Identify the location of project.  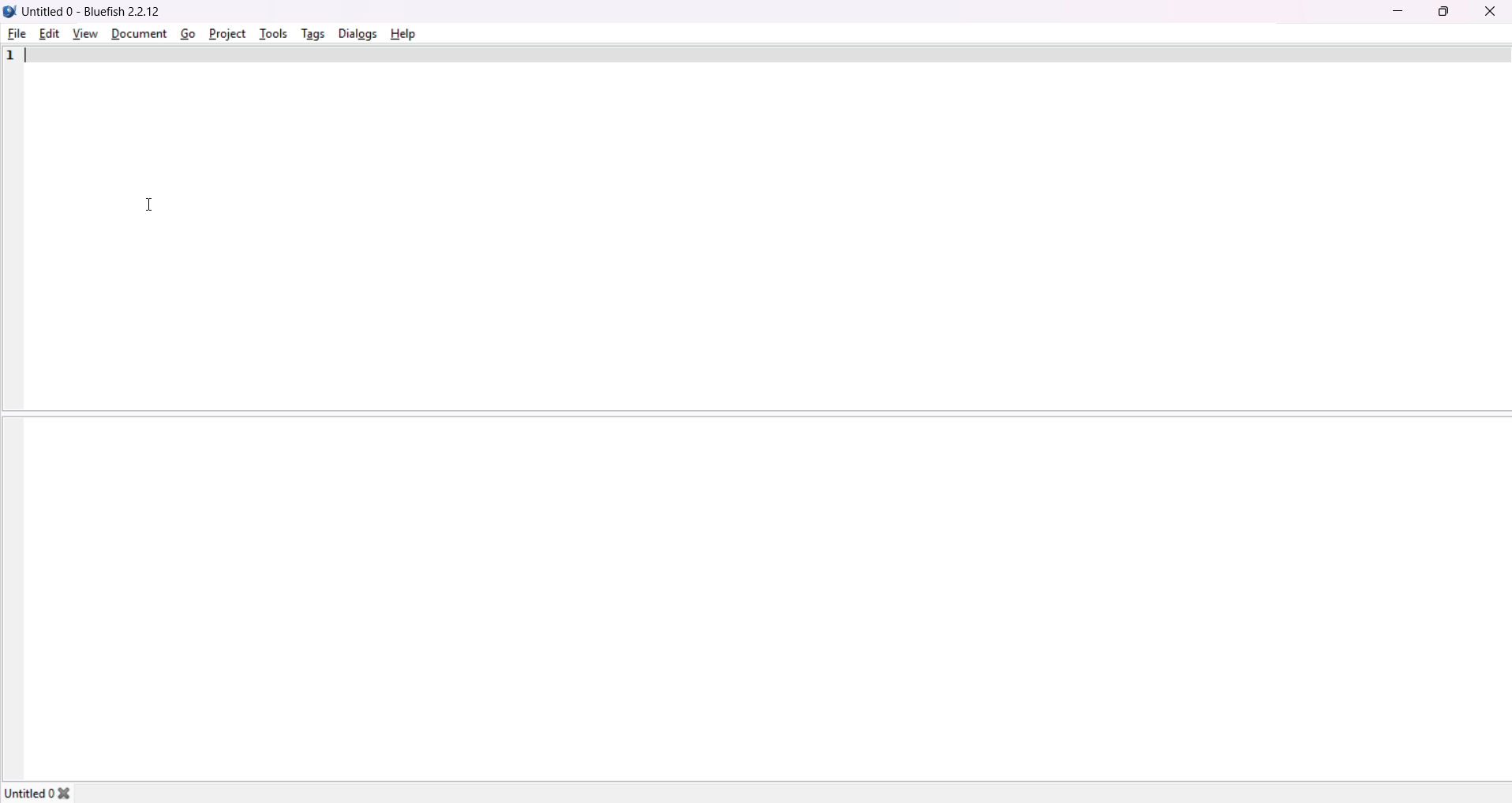
(226, 32).